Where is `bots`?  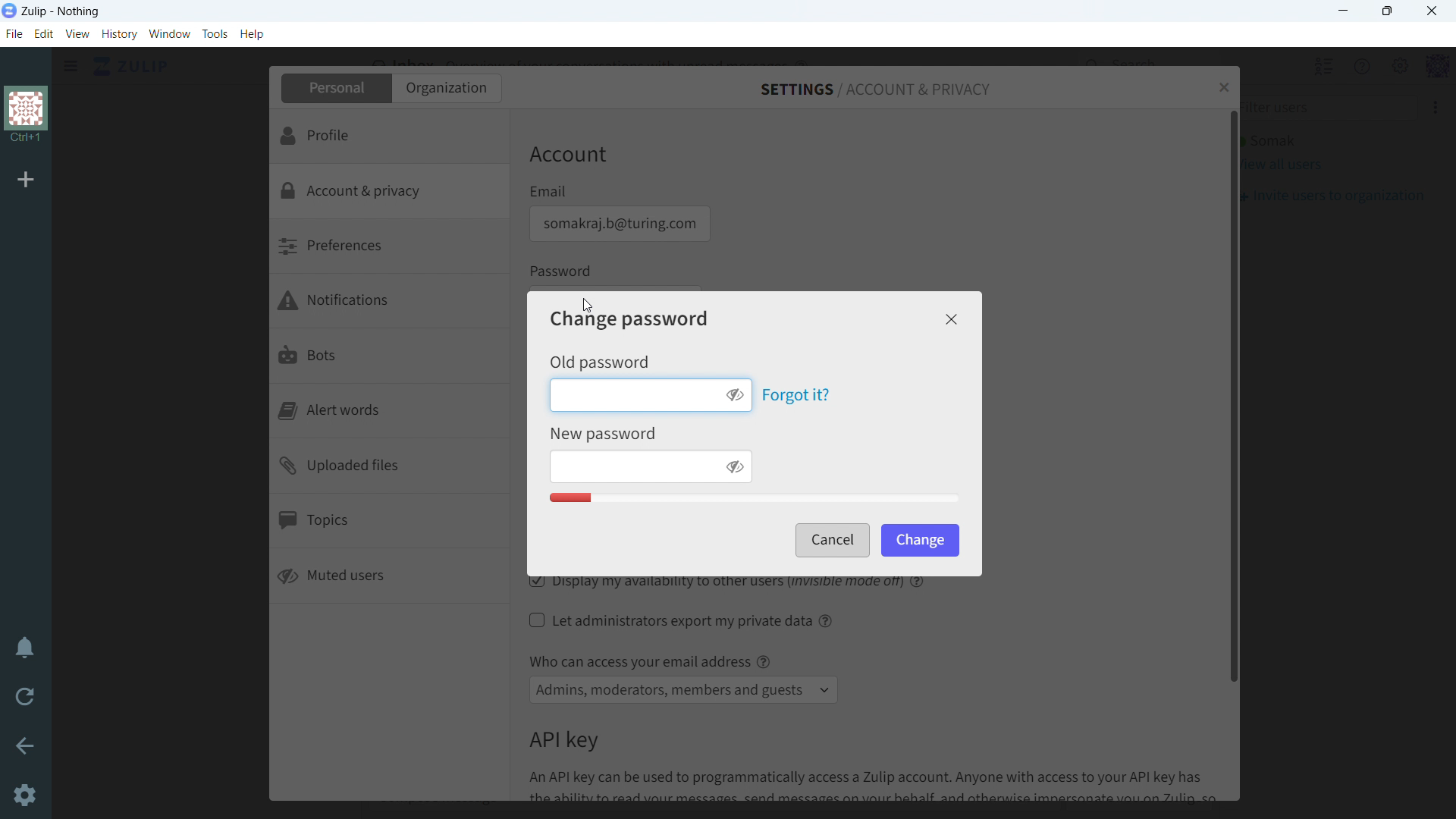
bots is located at coordinates (391, 358).